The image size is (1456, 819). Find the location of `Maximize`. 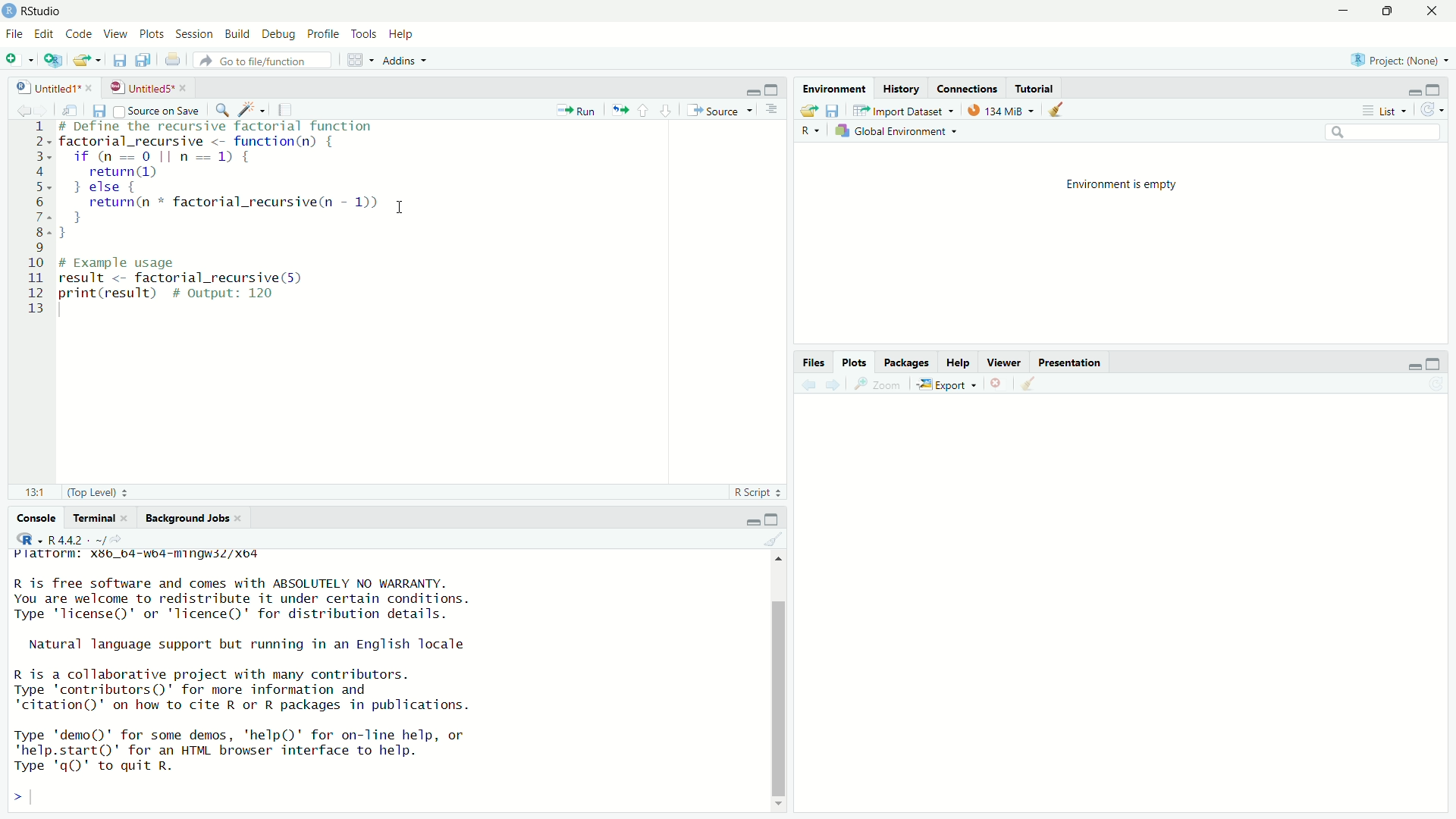

Maximize is located at coordinates (1434, 365).